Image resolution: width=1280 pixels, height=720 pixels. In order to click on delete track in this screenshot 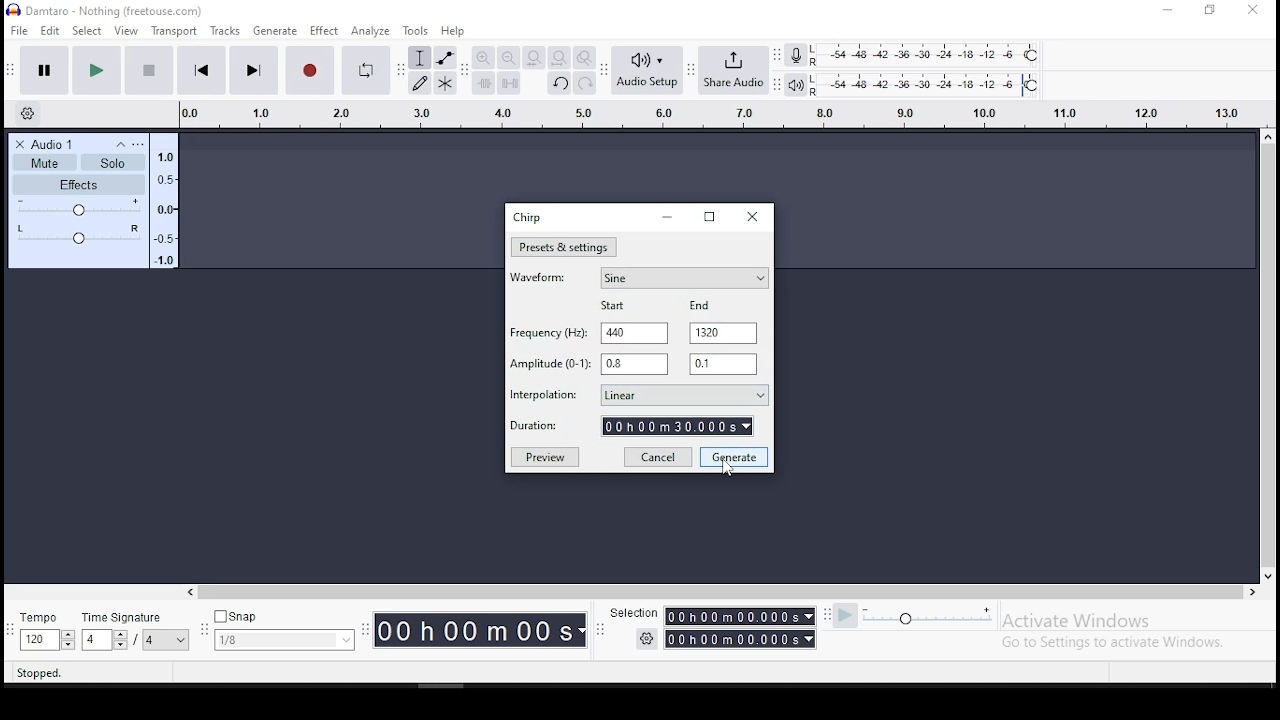, I will do `click(20, 145)`.